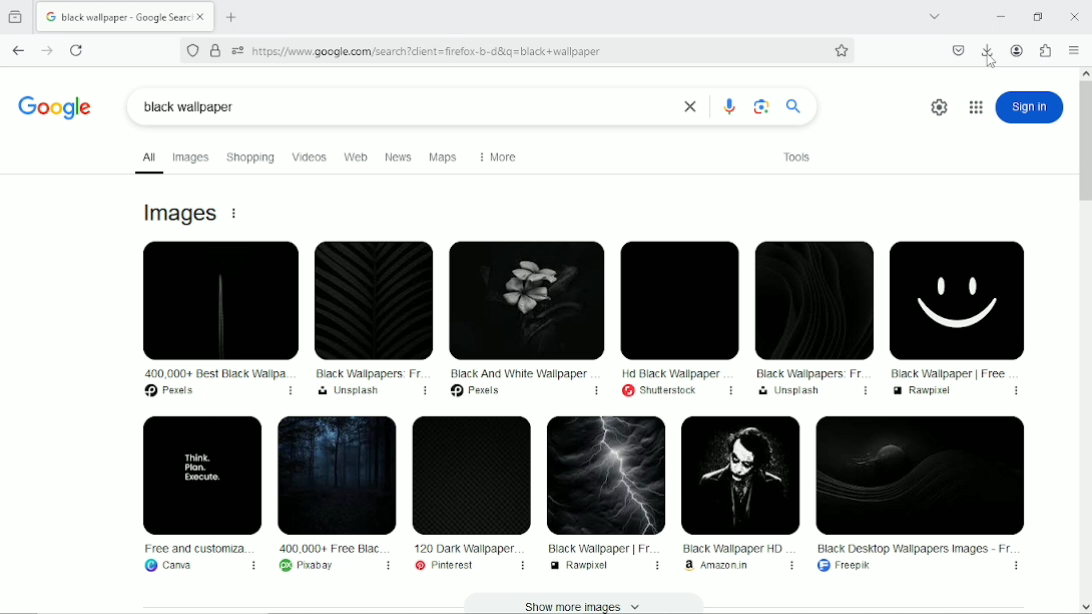  Describe the element at coordinates (1075, 50) in the screenshot. I see `Open application menu` at that location.